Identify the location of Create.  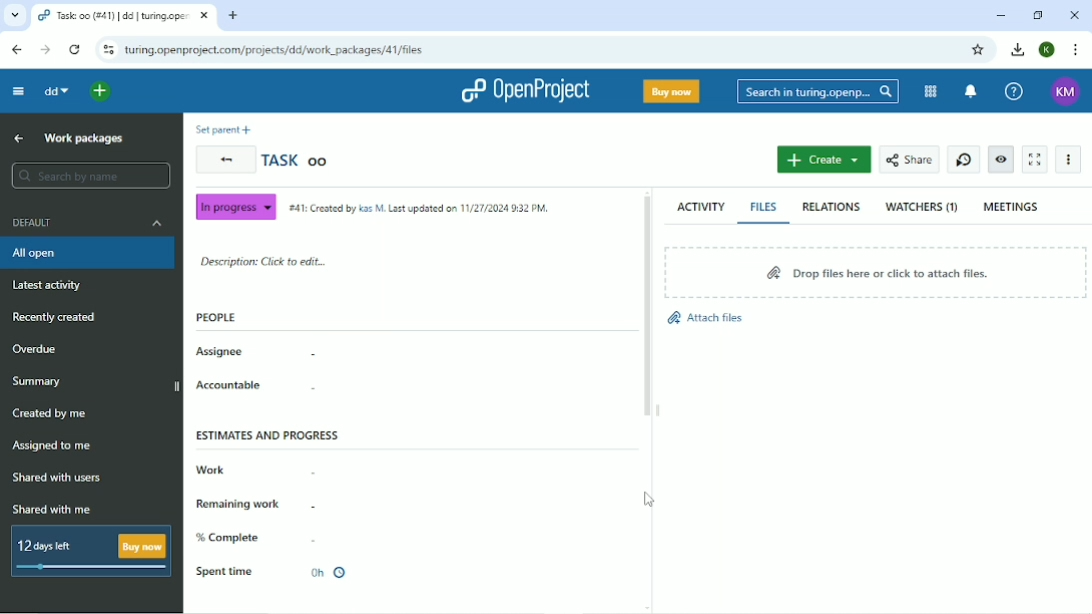
(823, 160).